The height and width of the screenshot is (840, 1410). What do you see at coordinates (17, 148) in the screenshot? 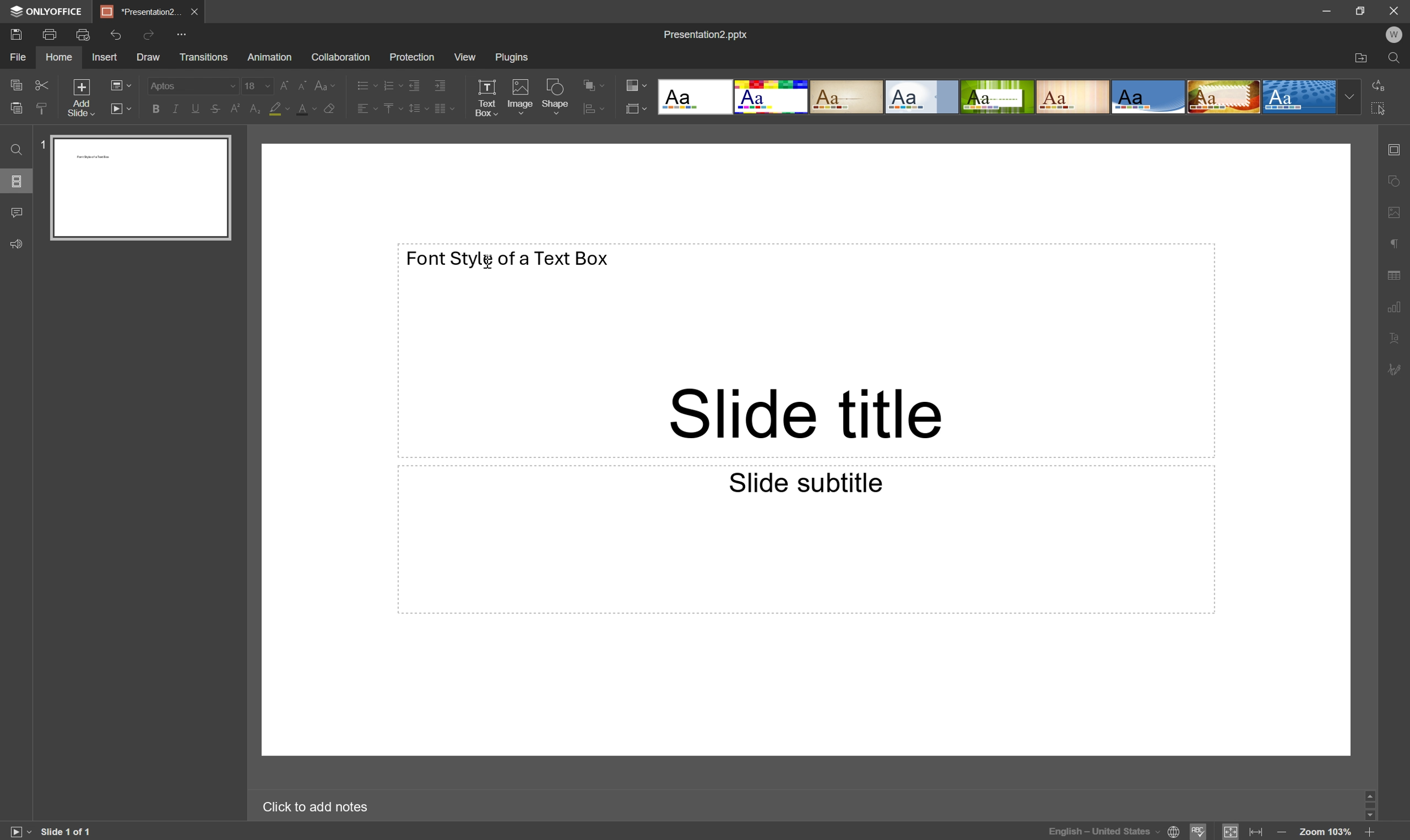
I see `Find` at bounding box center [17, 148].